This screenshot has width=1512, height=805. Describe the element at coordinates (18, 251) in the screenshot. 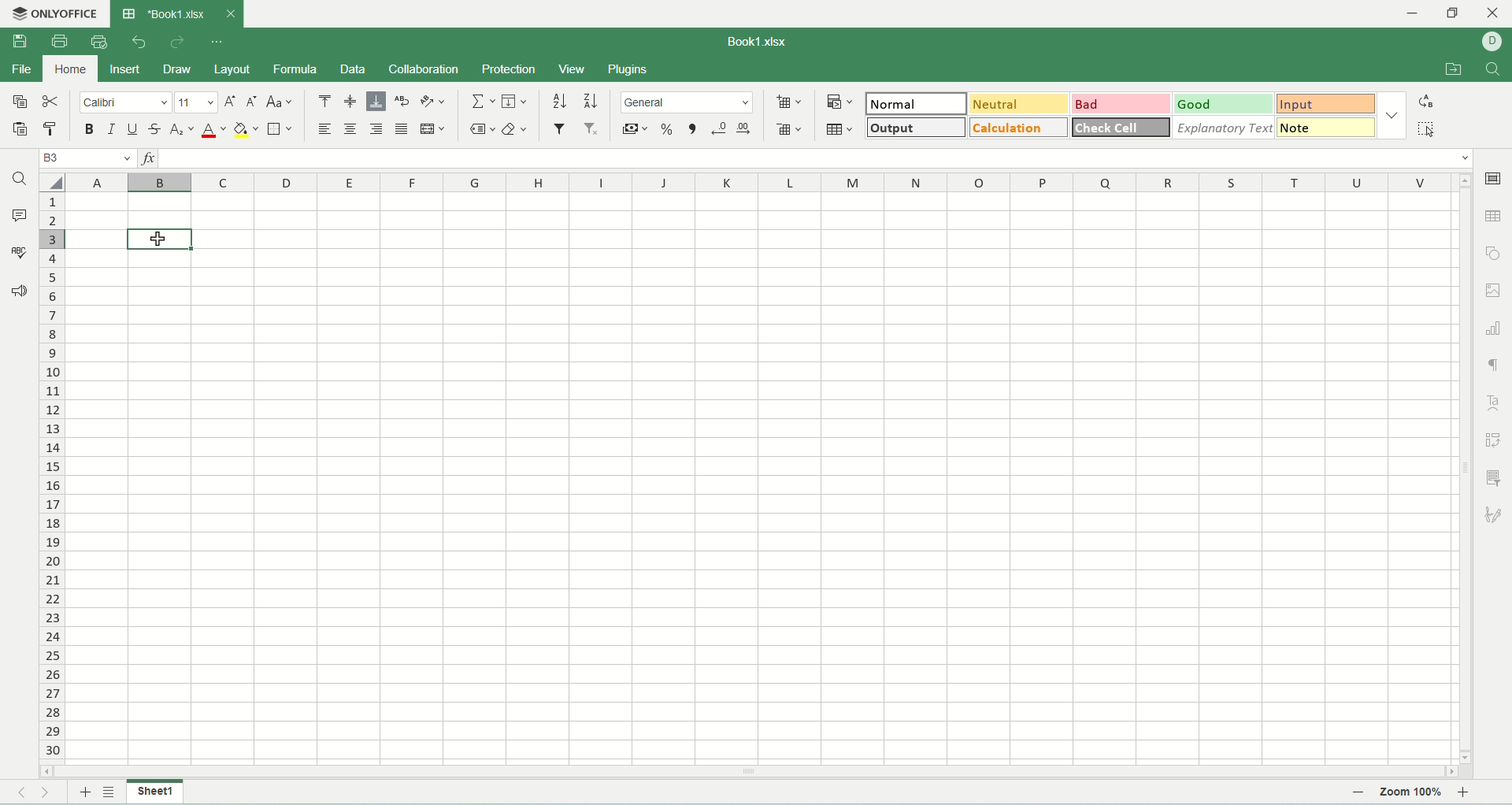

I see `spell check` at that location.